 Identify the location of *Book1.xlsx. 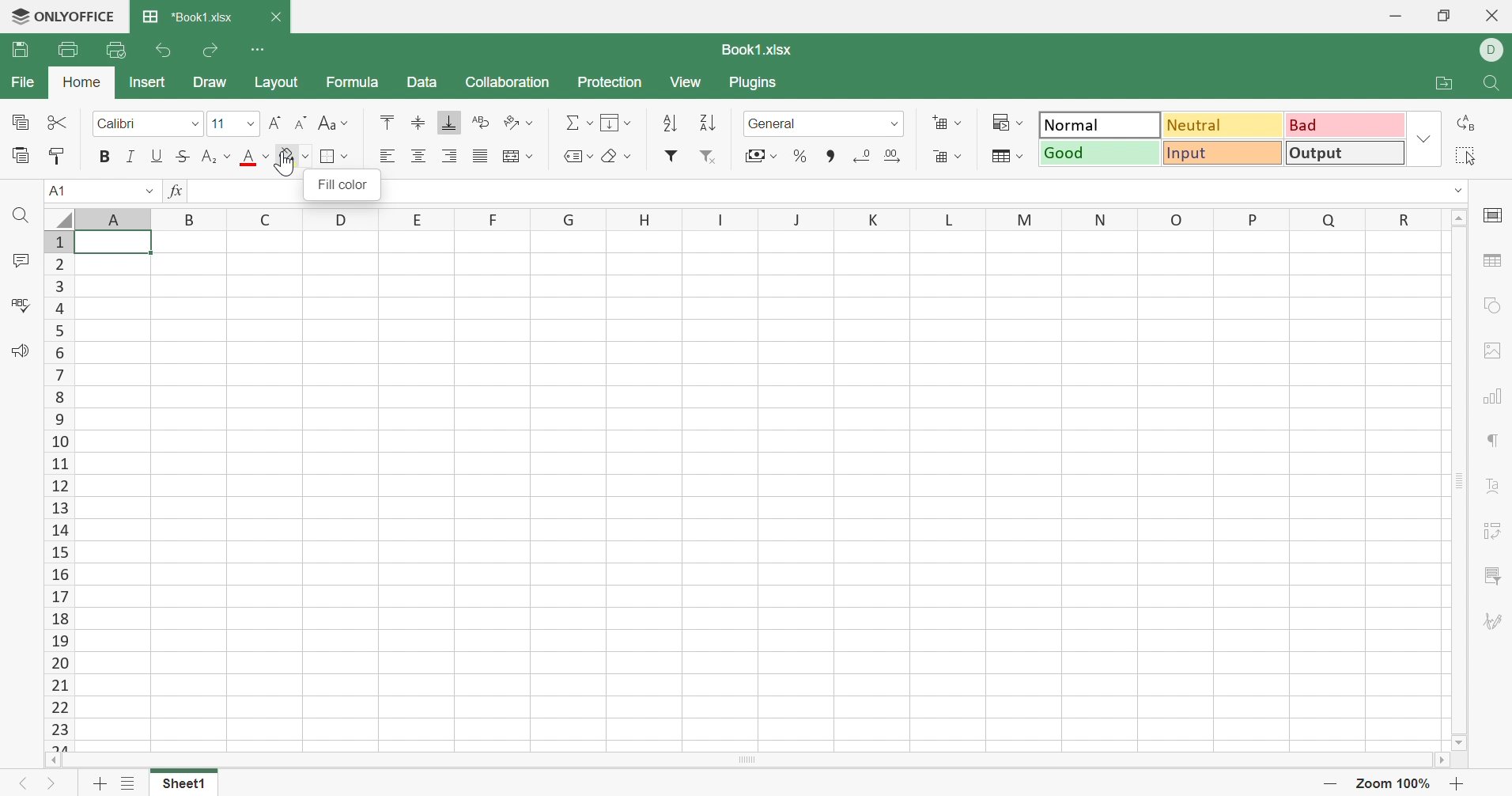
(191, 16).